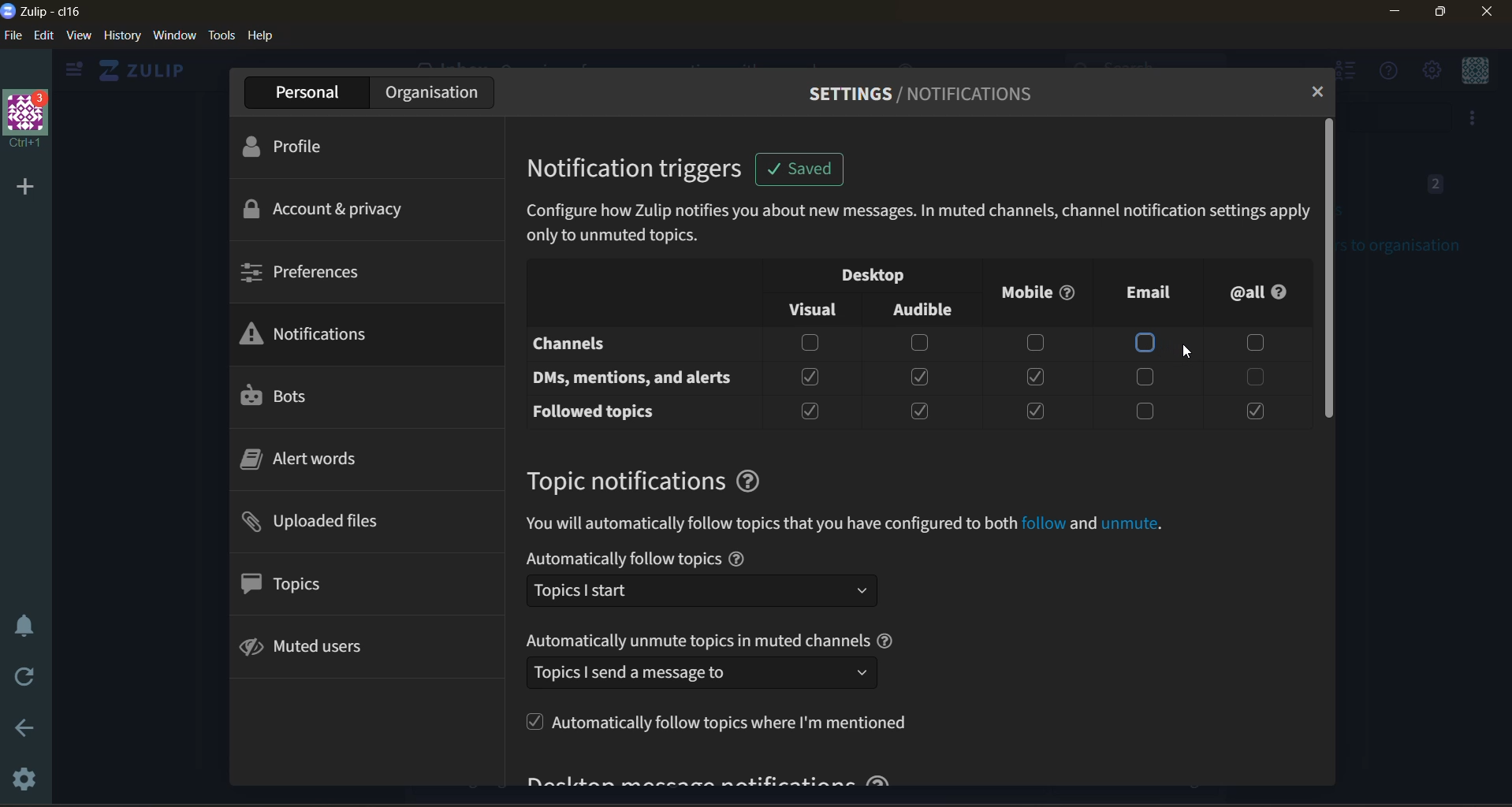 The height and width of the screenshot is (807, 1512). I want to click on checkbox, so click(1145, 413).